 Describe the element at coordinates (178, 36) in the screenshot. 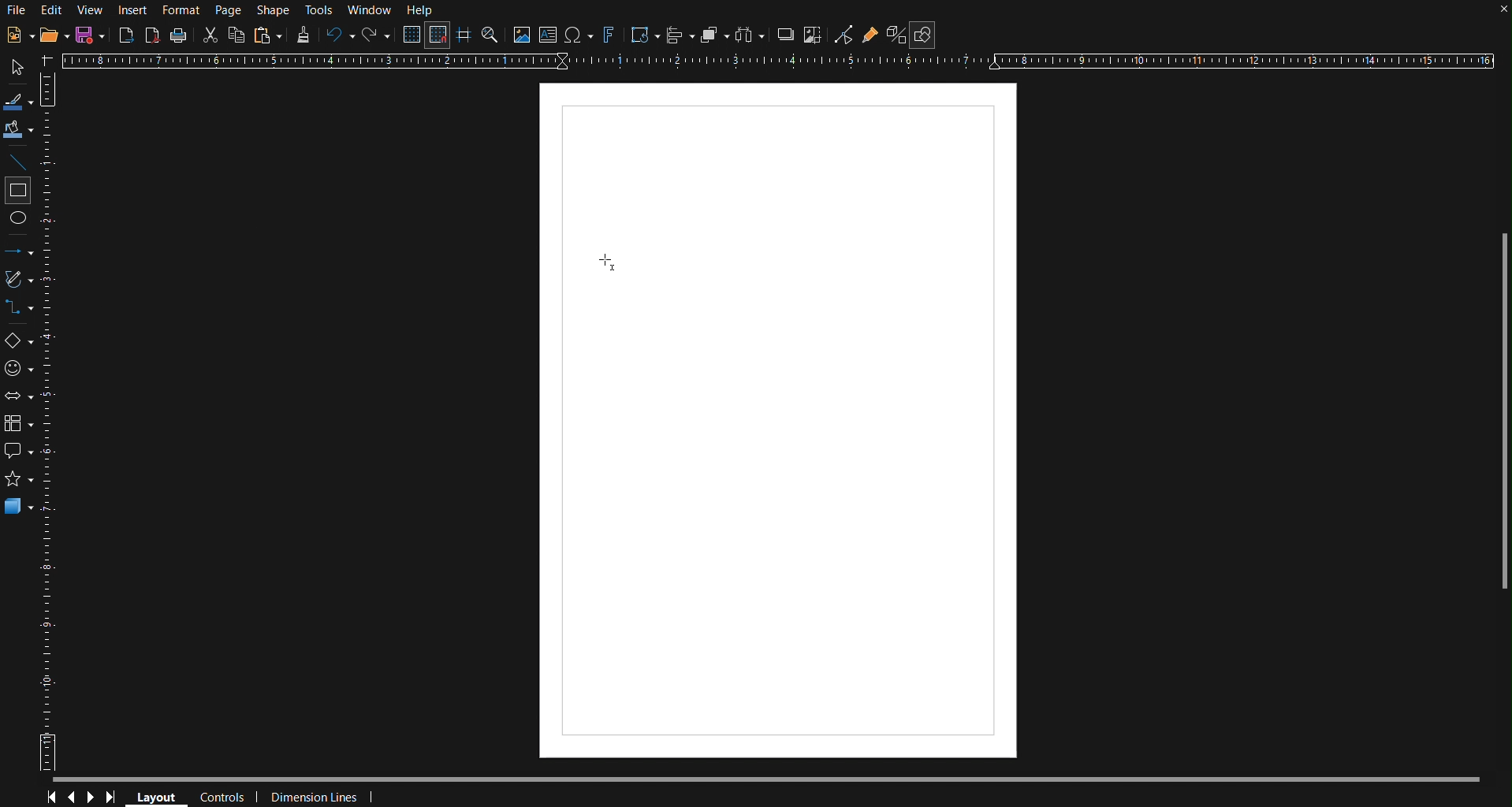

I see `Print` at that location.